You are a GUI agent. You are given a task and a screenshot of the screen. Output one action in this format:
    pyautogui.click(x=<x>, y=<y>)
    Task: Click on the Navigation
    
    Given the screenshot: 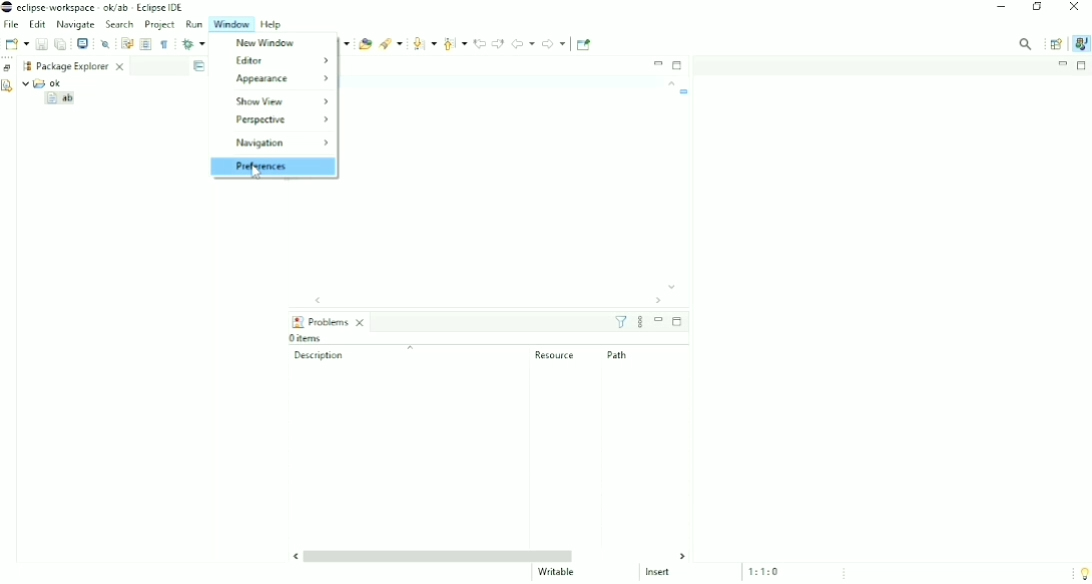 What is the action you would take?
    pyautogui.click(x=279, y=144)
    